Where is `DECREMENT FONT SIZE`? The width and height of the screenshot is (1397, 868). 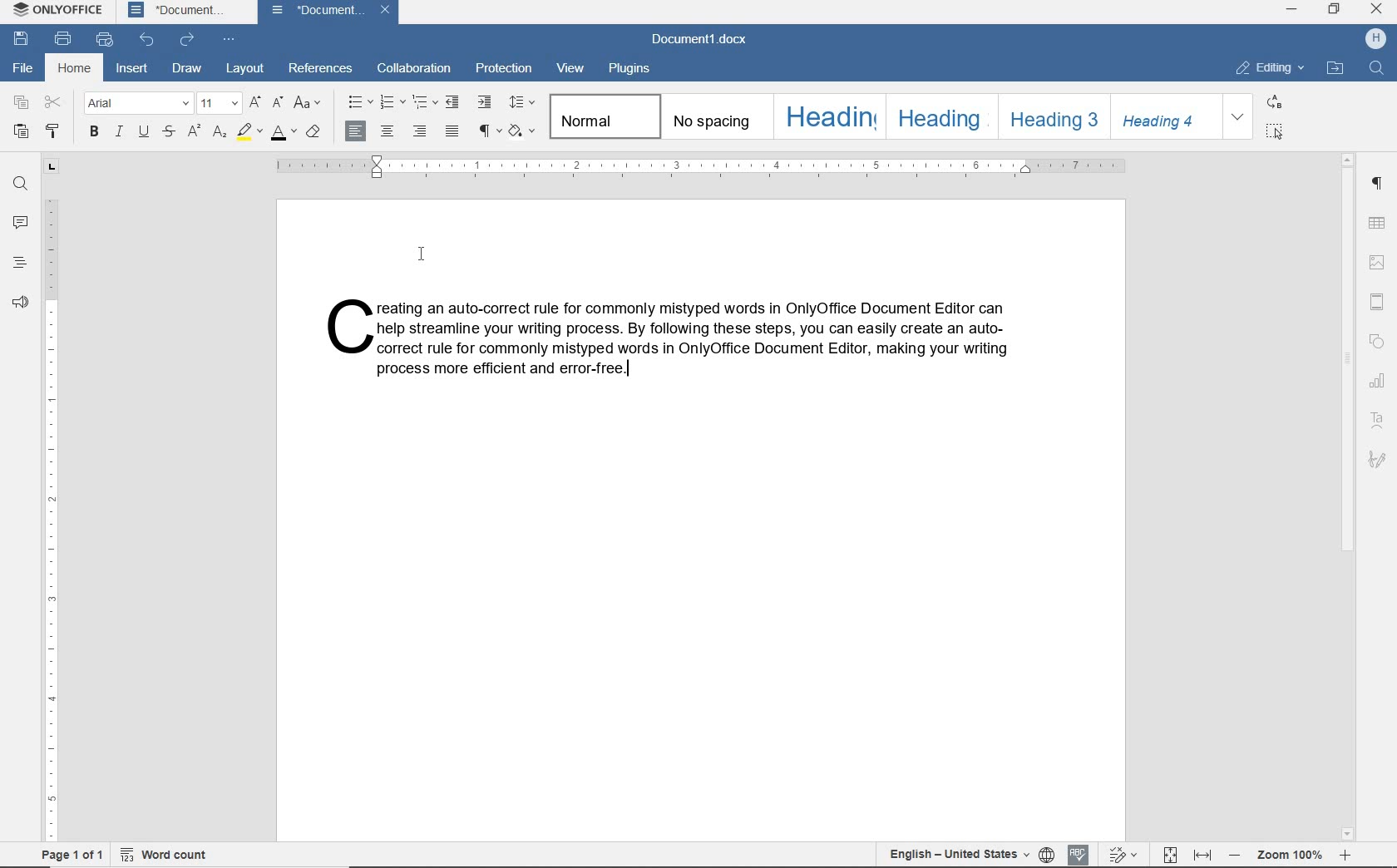 DECREMENT FONT SIZE is located at coordinates (278, 103).